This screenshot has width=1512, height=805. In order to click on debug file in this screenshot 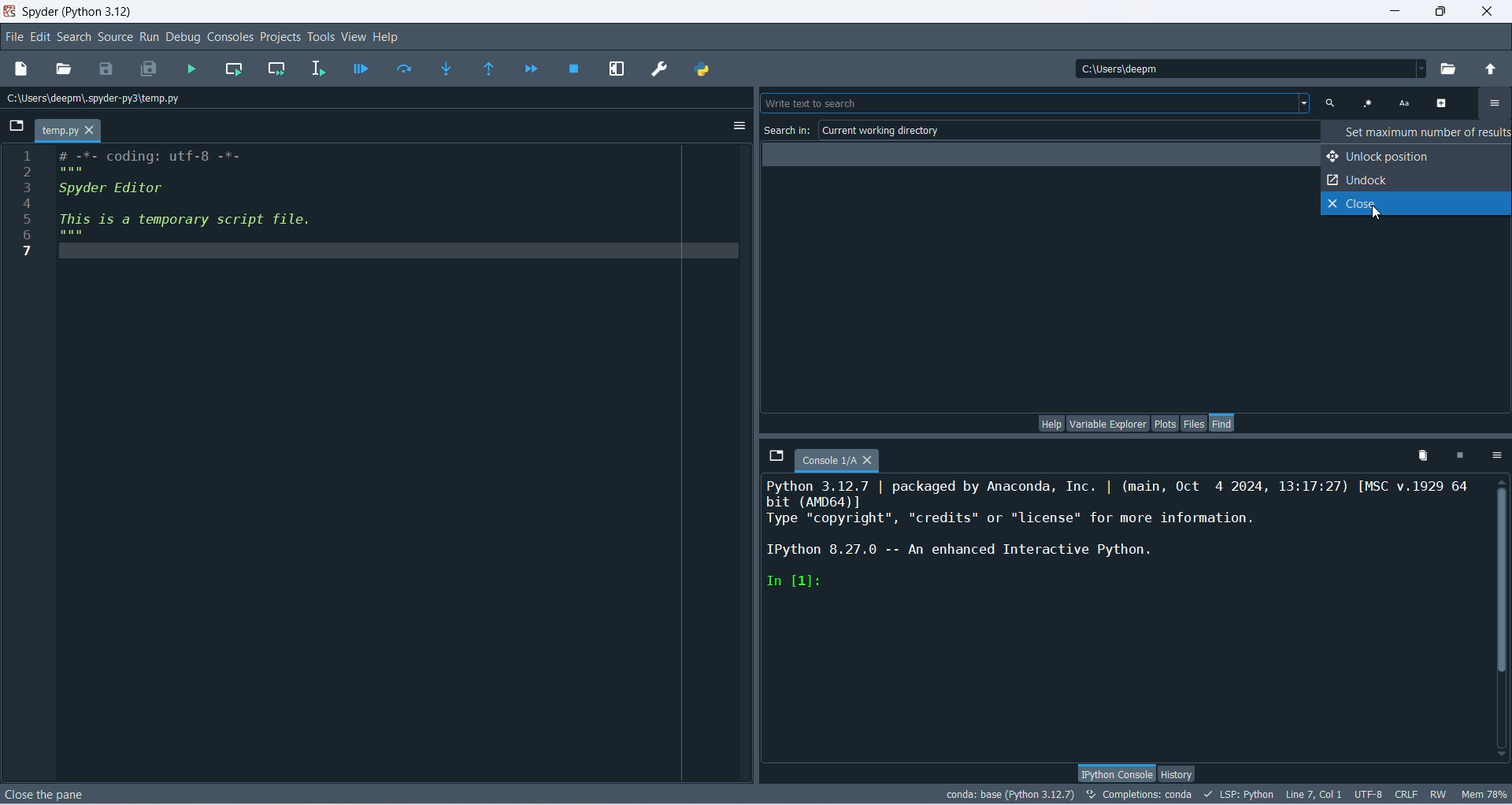, I will do `click(358, 70)`.